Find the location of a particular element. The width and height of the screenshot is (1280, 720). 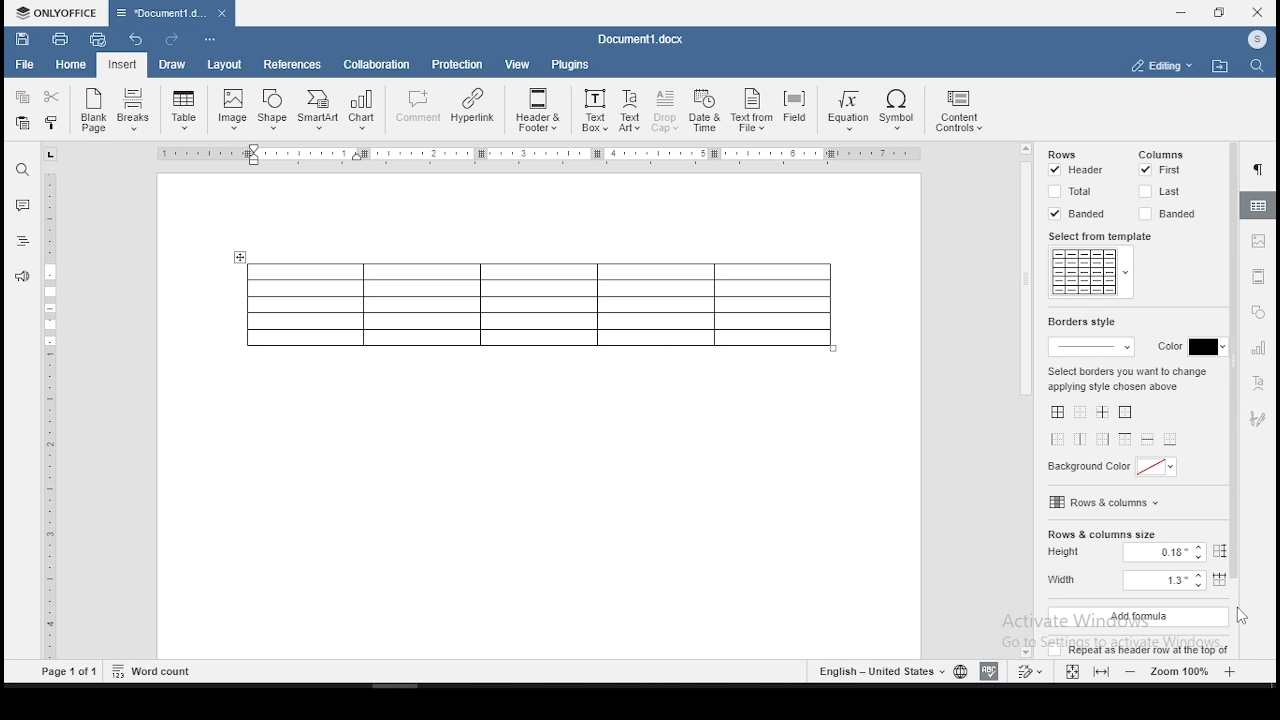

Drop Cap is located at coordinates (666, 112).